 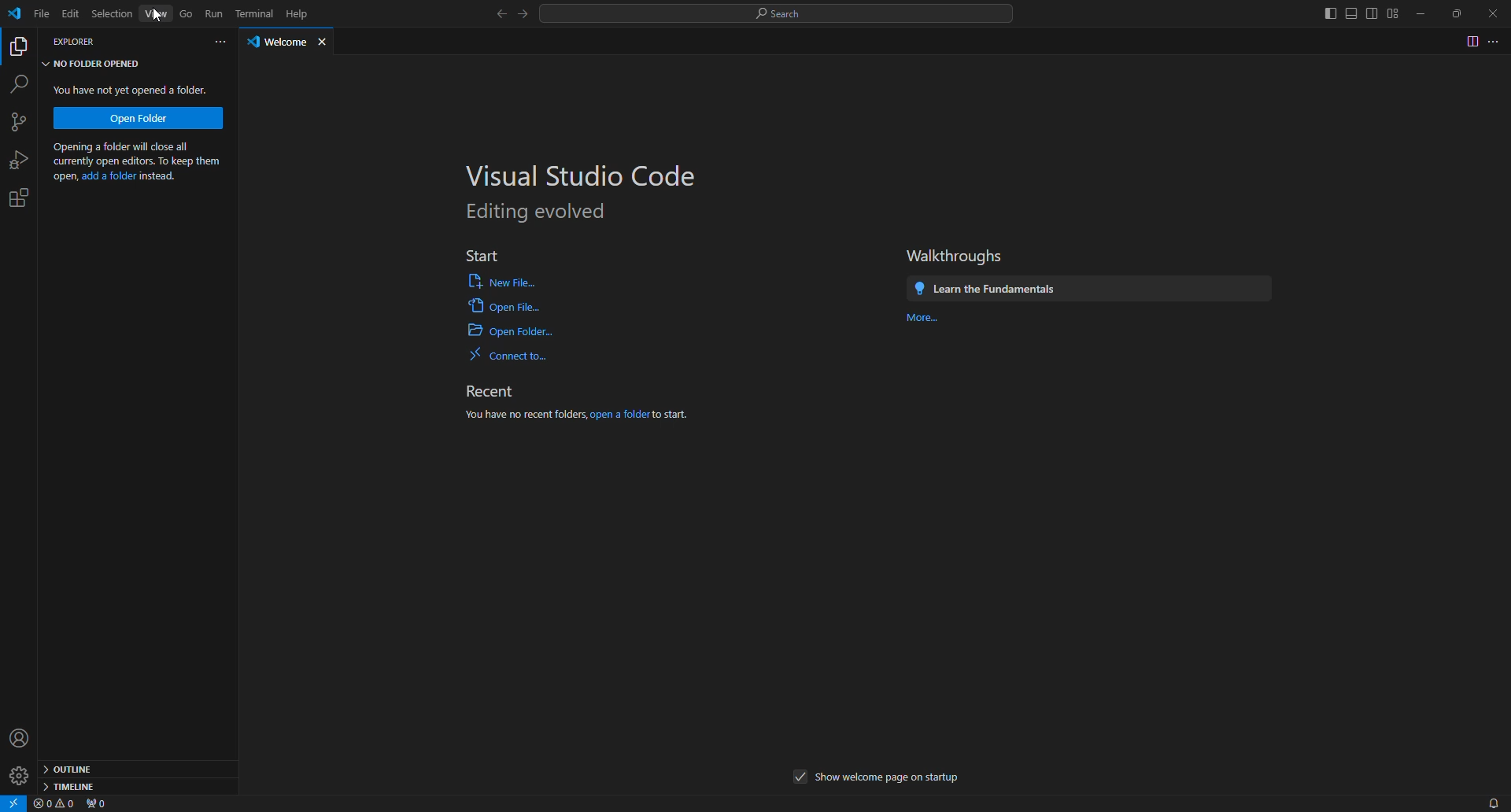 What do you see at coordinates (492, 16) in the screenshot?
I see `back` at bounding box center [492, 16].